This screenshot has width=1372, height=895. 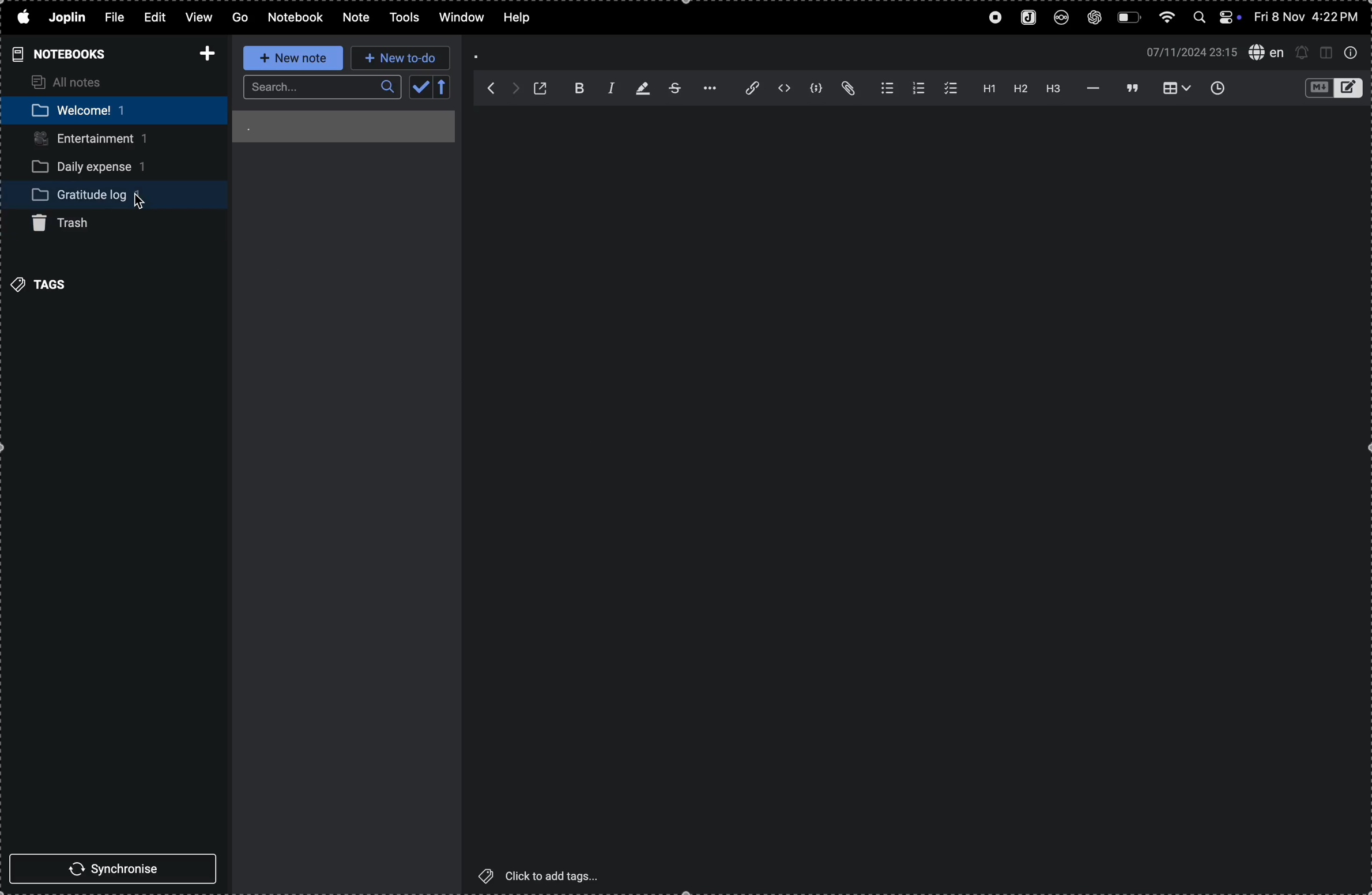 What do you see at coordinates (1096, 17) in the screenshot?
I see `chatgpt` at bounding box center [1096, 17].